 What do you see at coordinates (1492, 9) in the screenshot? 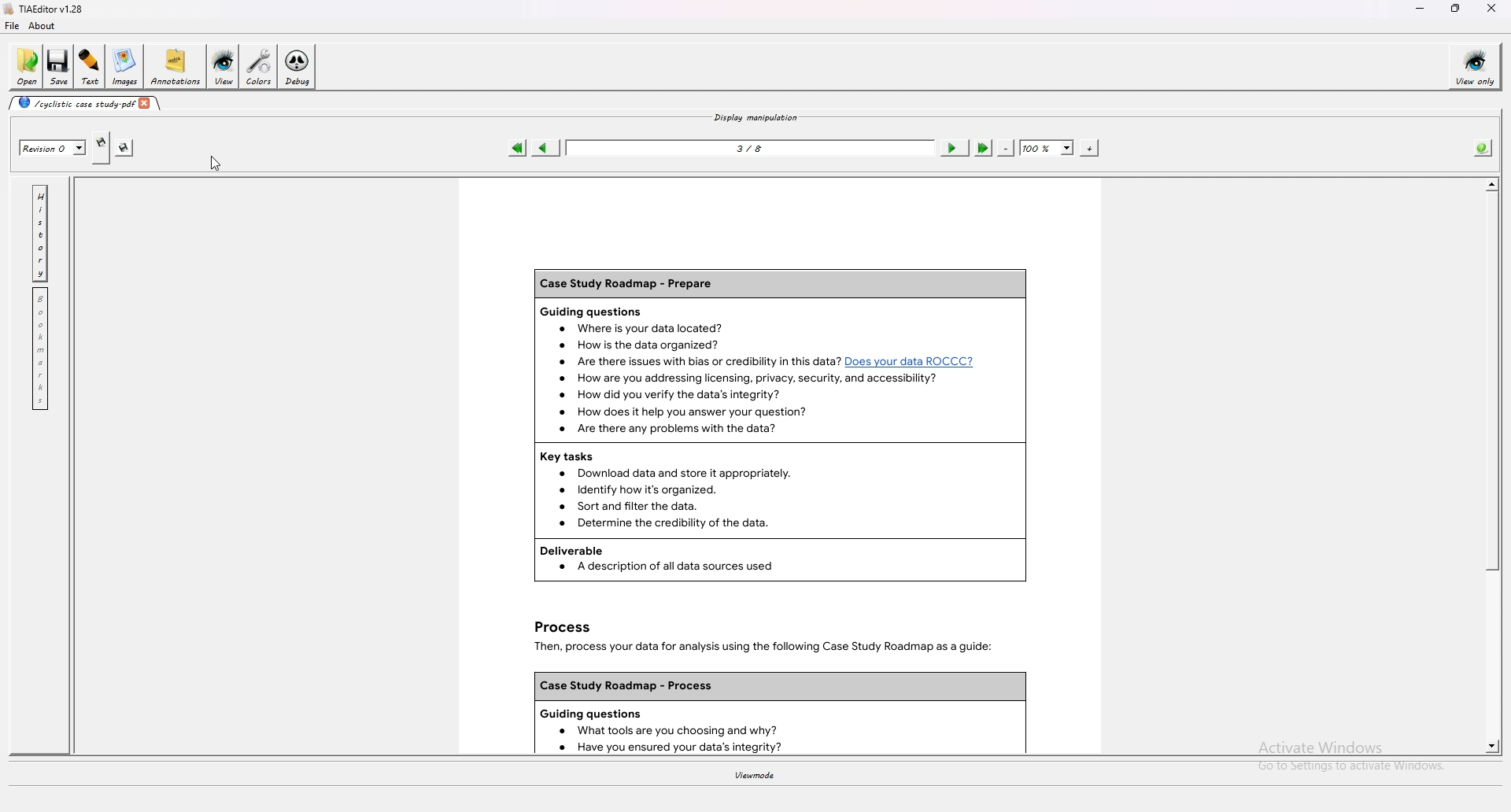
I see `close` at bounding box center [1492, 9].